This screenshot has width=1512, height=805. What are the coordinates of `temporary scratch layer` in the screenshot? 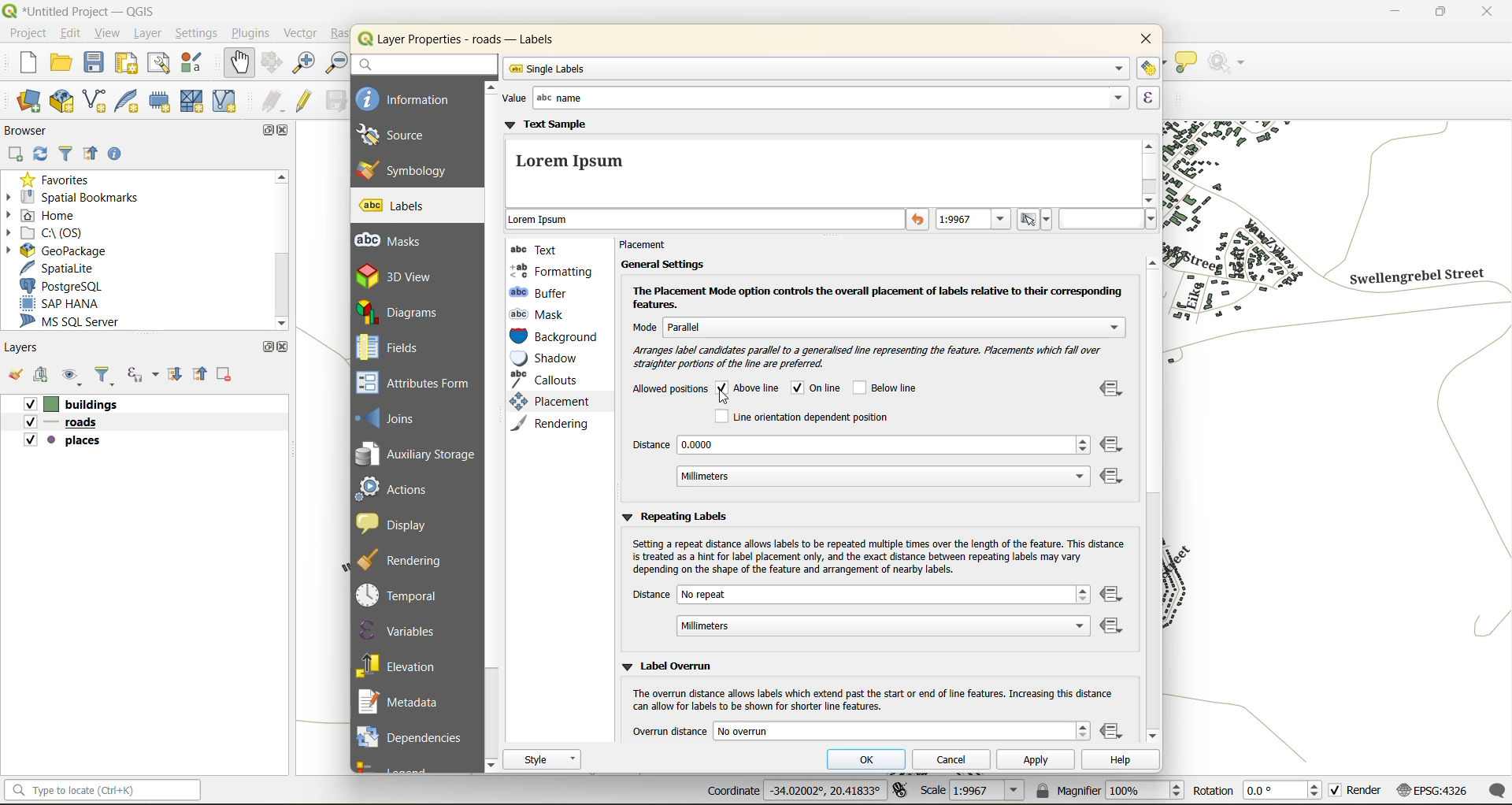 It's located at (161, 101).